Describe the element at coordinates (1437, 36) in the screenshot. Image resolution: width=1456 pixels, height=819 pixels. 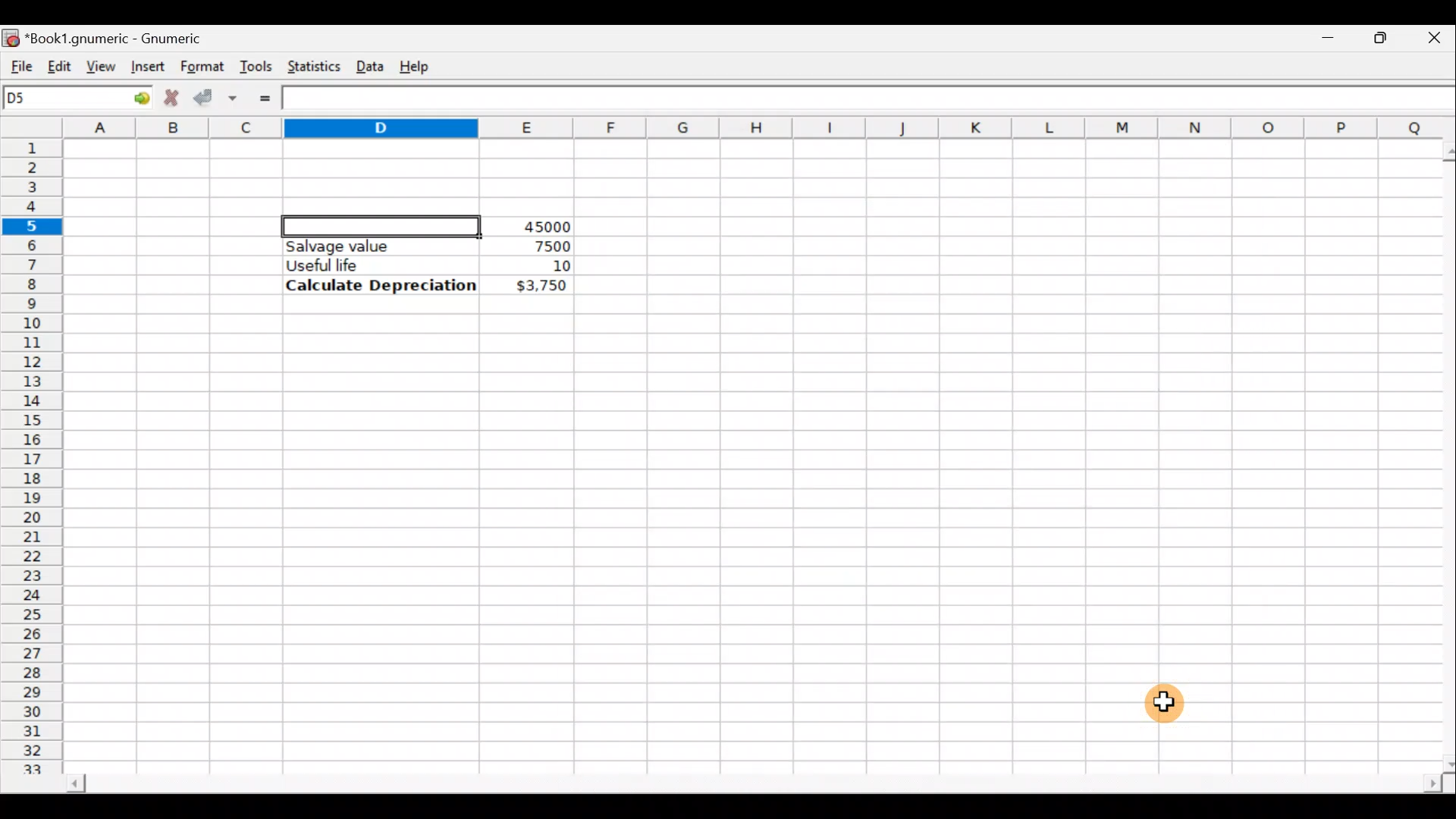
I see `Close` at that location.